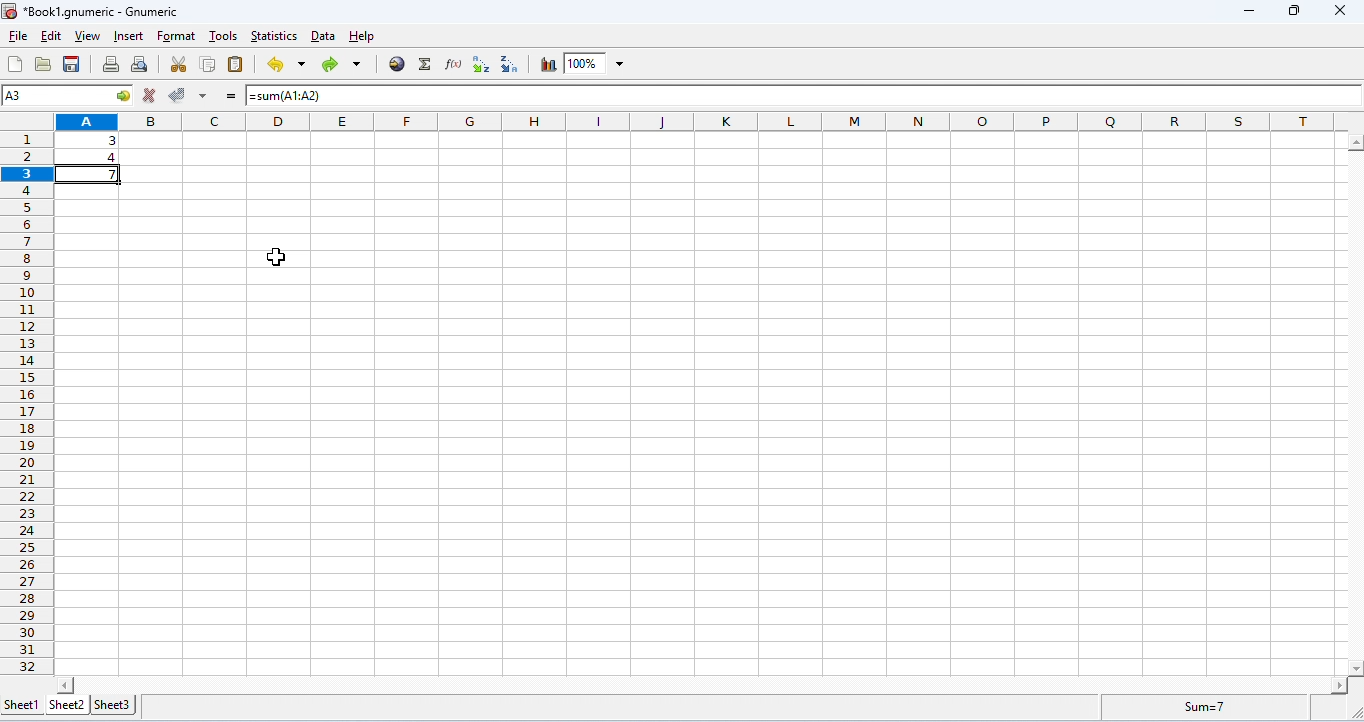 The width and height of the screenshot is (1364, 722). Describe the element at coordinates (1338, 10) in the screenshot. I see `close` at that location.